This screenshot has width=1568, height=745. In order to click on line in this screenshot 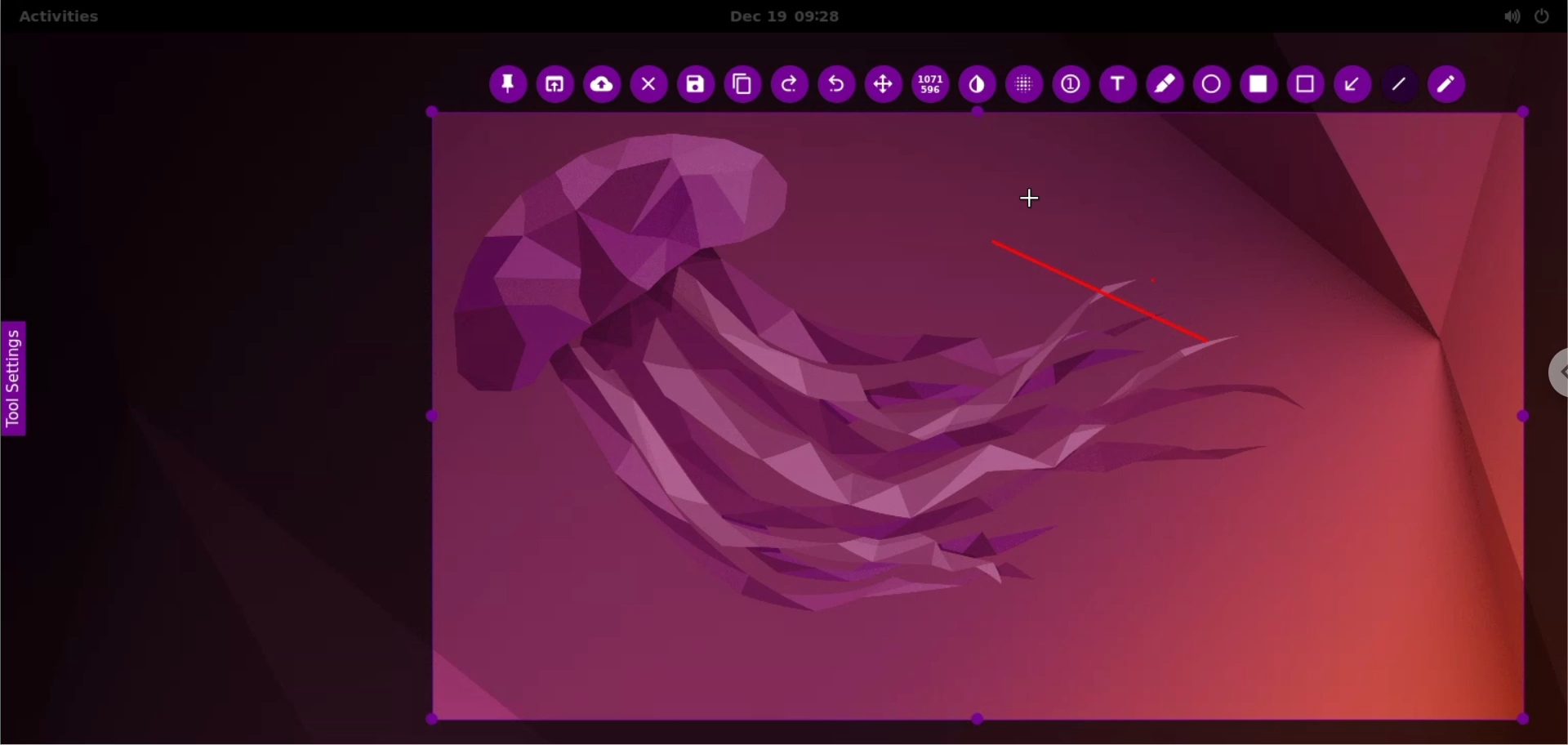, I will do `click(1094, 288)`.